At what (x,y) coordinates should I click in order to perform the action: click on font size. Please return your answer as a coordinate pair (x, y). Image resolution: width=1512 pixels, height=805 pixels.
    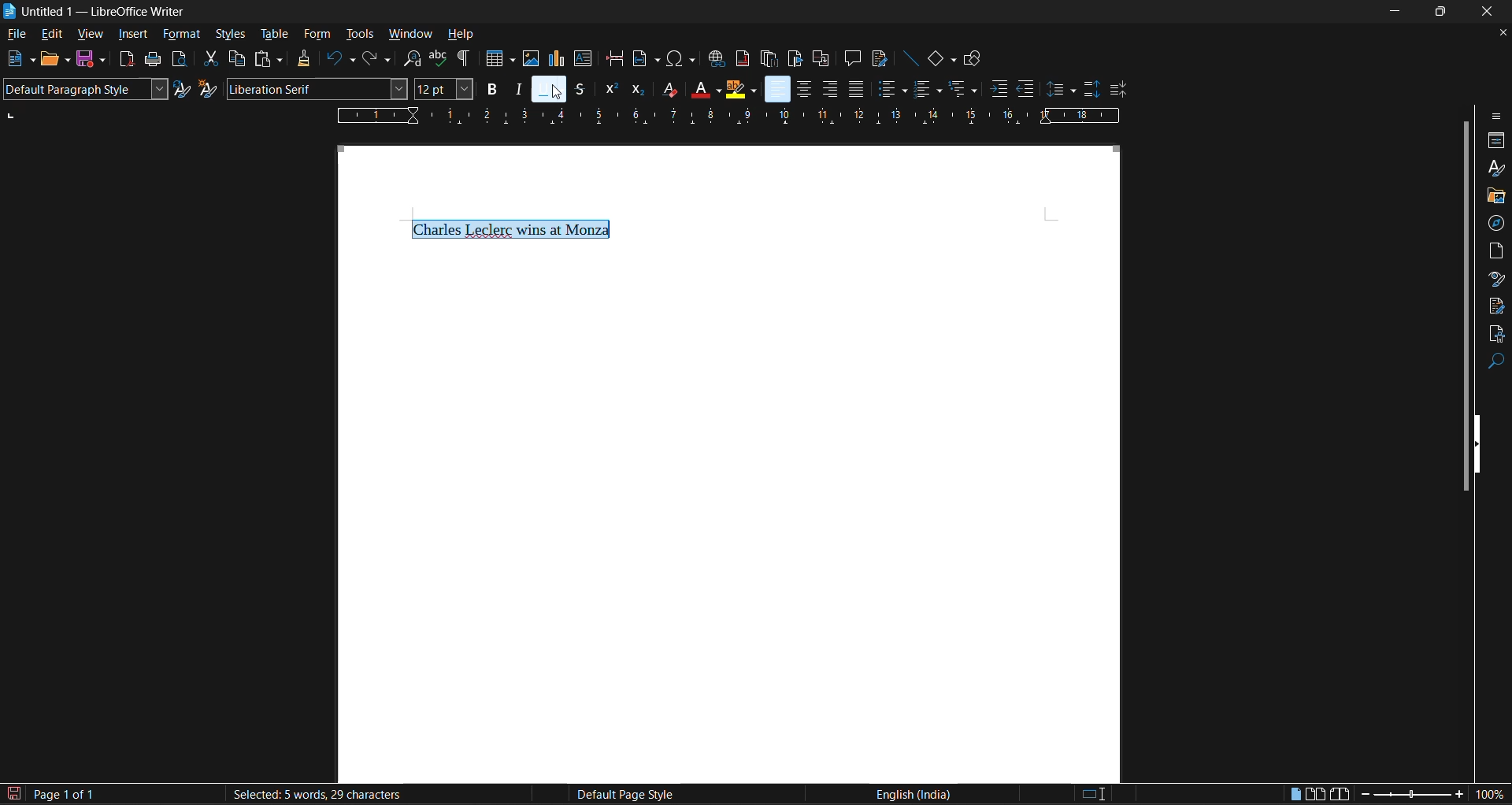
    Looking at the image, I should click on (443, 88).